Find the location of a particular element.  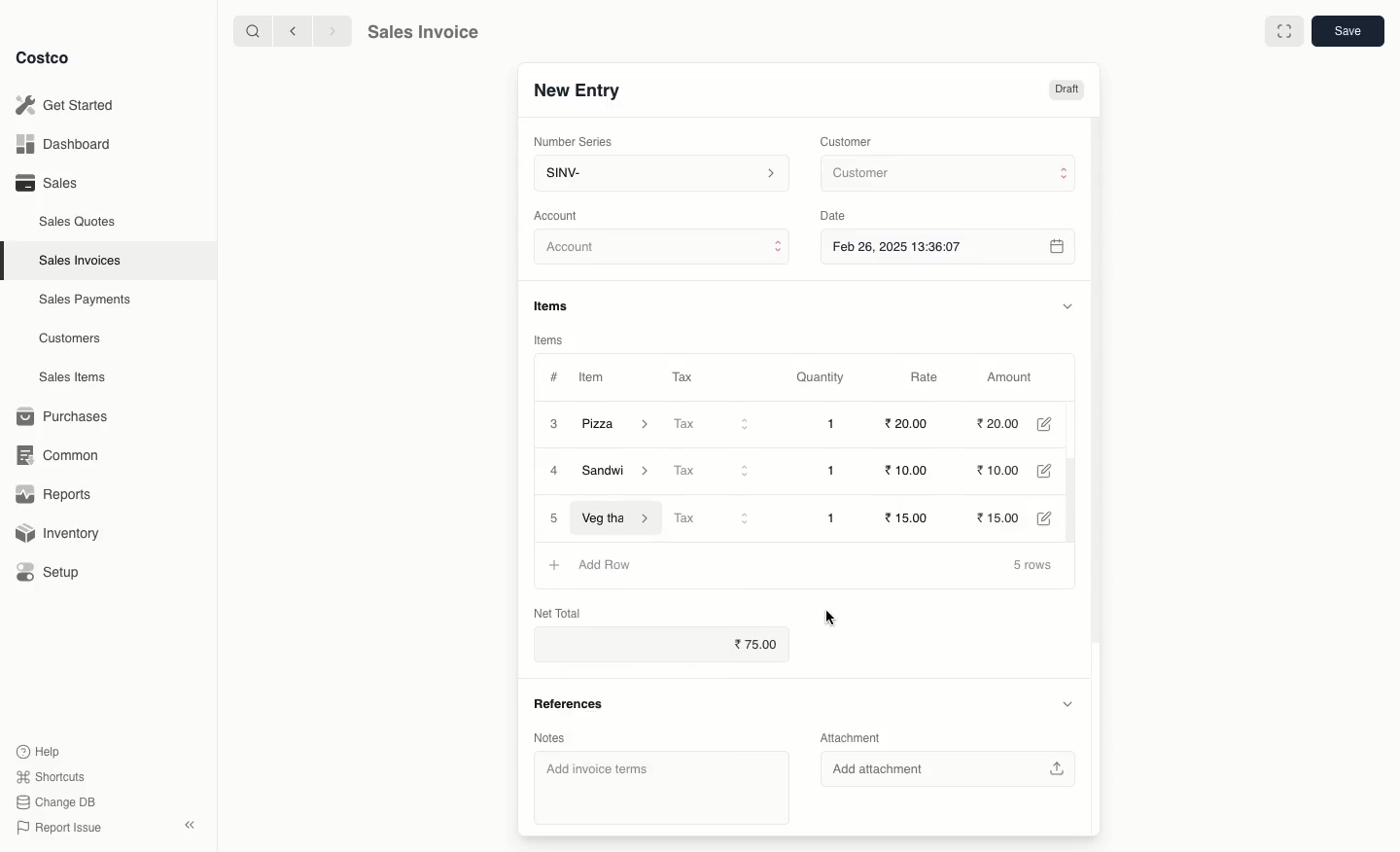

Edit is located at coordinates (1056, 472).